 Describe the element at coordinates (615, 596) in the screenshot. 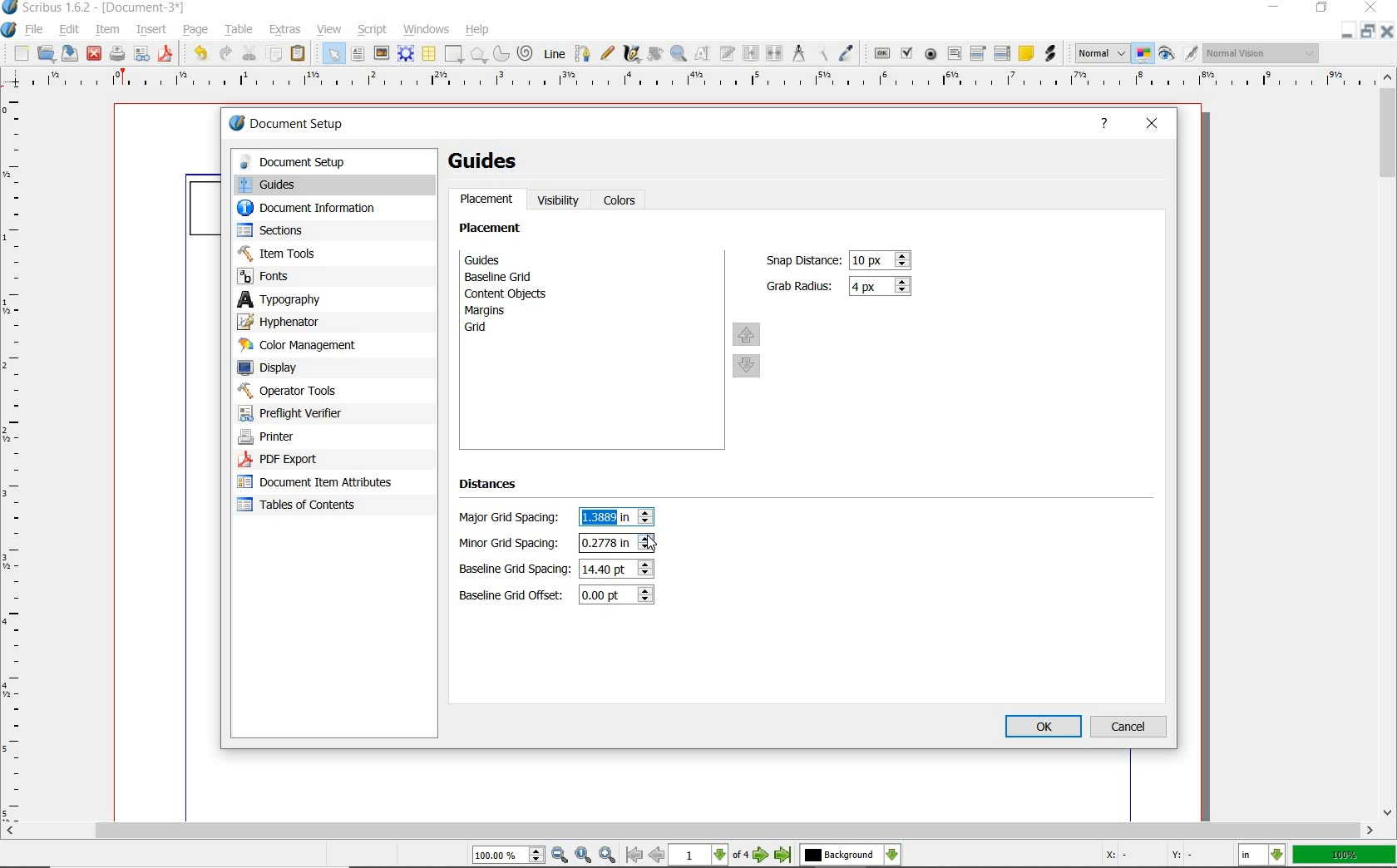

I see `Baseline Grid Offset` at that location.